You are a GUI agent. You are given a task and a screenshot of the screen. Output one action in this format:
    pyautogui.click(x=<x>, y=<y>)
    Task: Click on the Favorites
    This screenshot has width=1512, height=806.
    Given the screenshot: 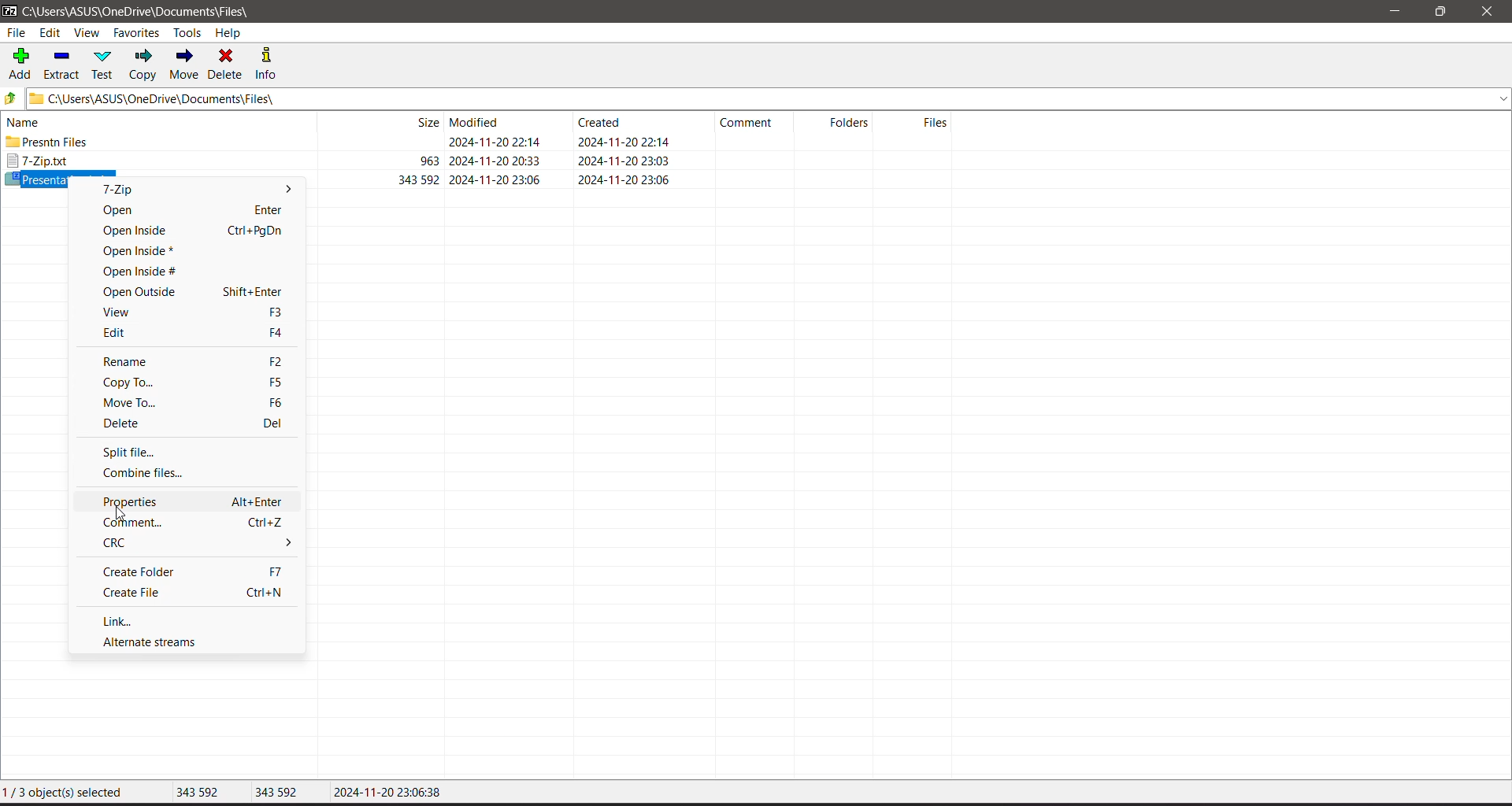 What is the action you would take?
    pyautogui.click(x=137, y=33)
    